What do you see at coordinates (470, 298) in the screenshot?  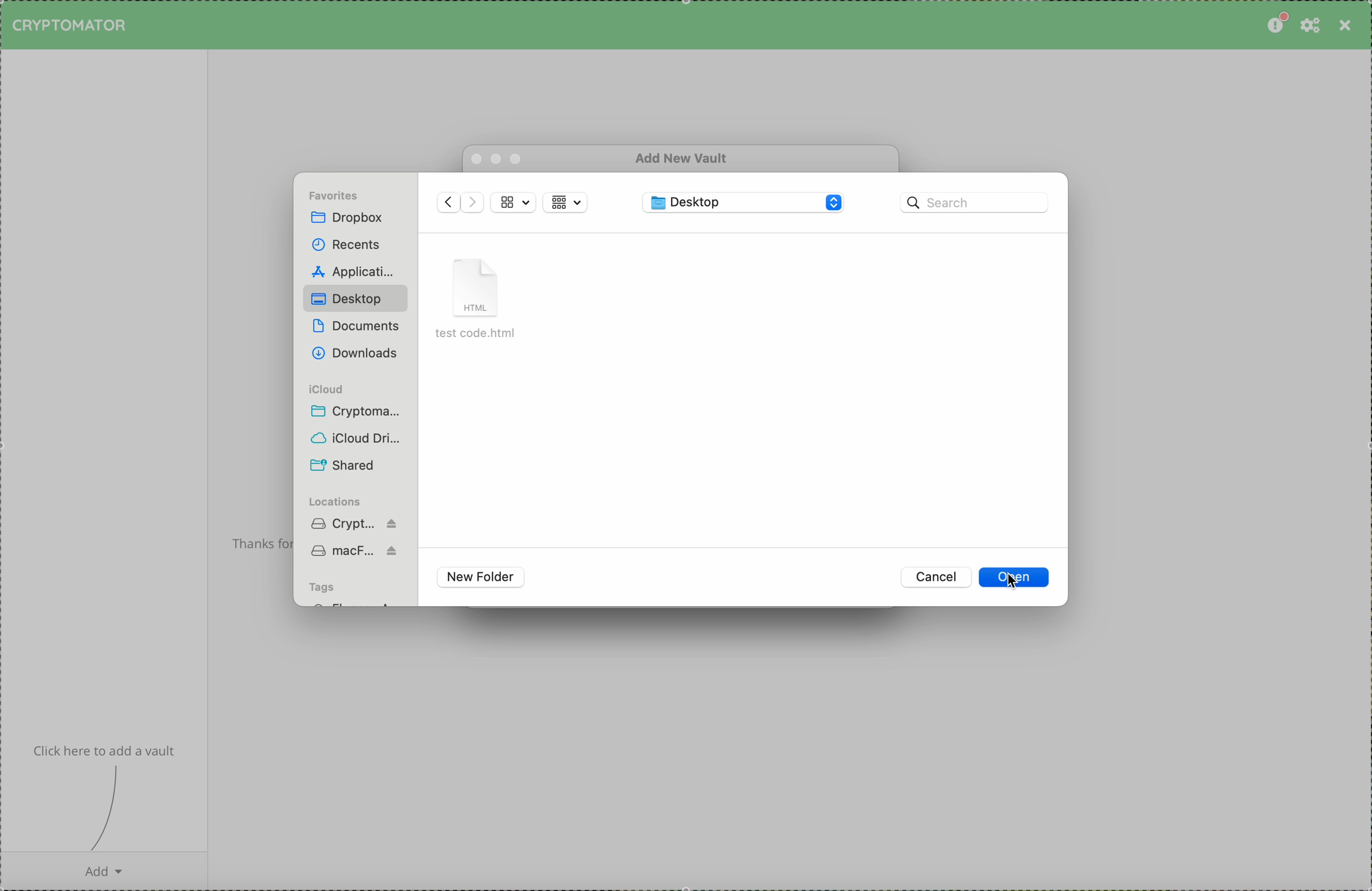 I see `textcode.html file` at bounding box center [470, 298].